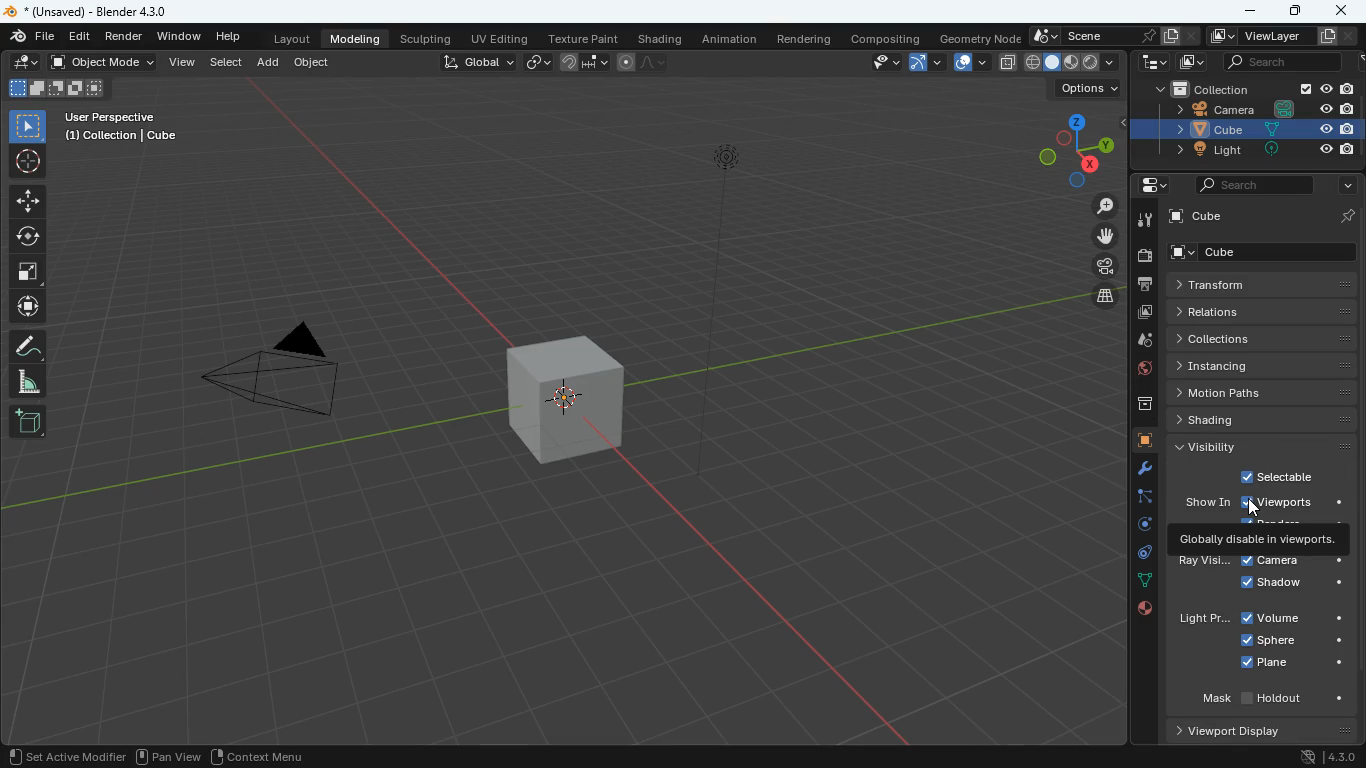 The image size is (1366, 768). Describe the element at coordinates (1282, 475) in the screenshot. I see `selectable` at that location.